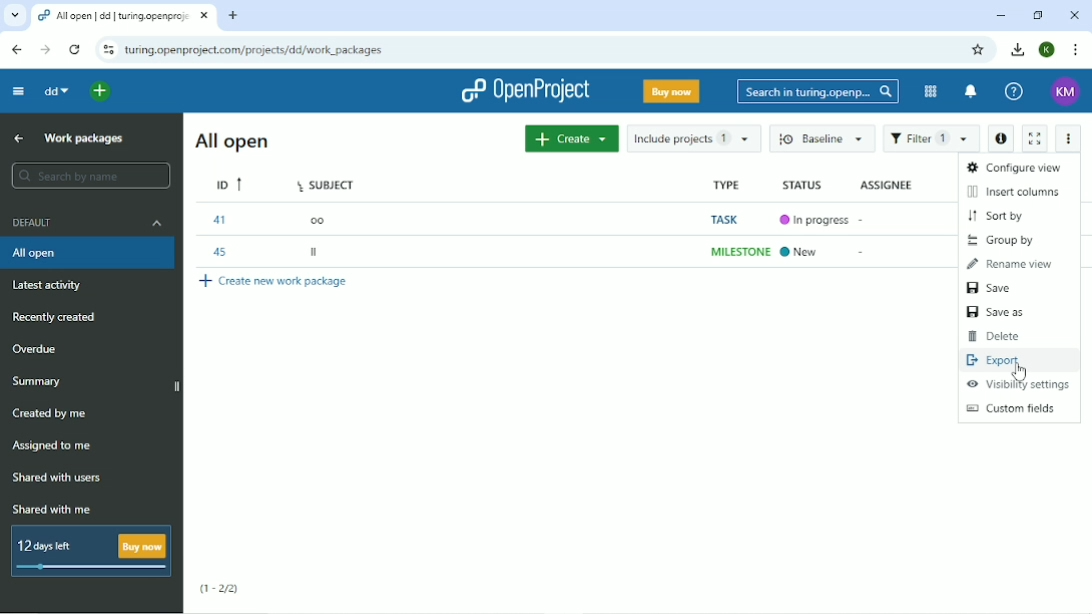  Describe the element at coordinates (999, 313) in the screenshot. I see `Save as` at that location.